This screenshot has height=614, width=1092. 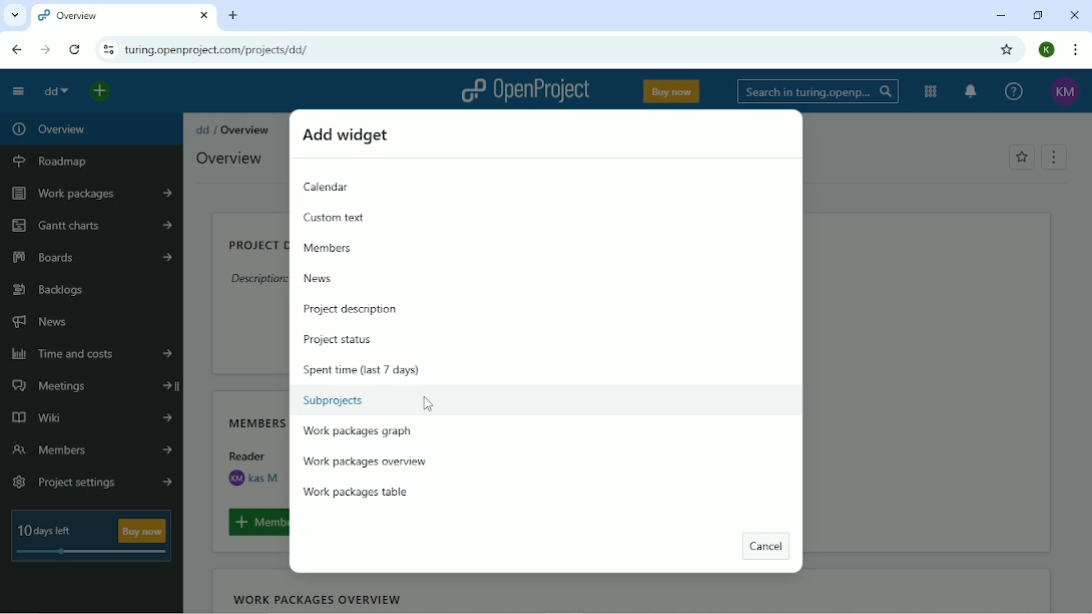 I want to click on News, so click(x=317, y=278).